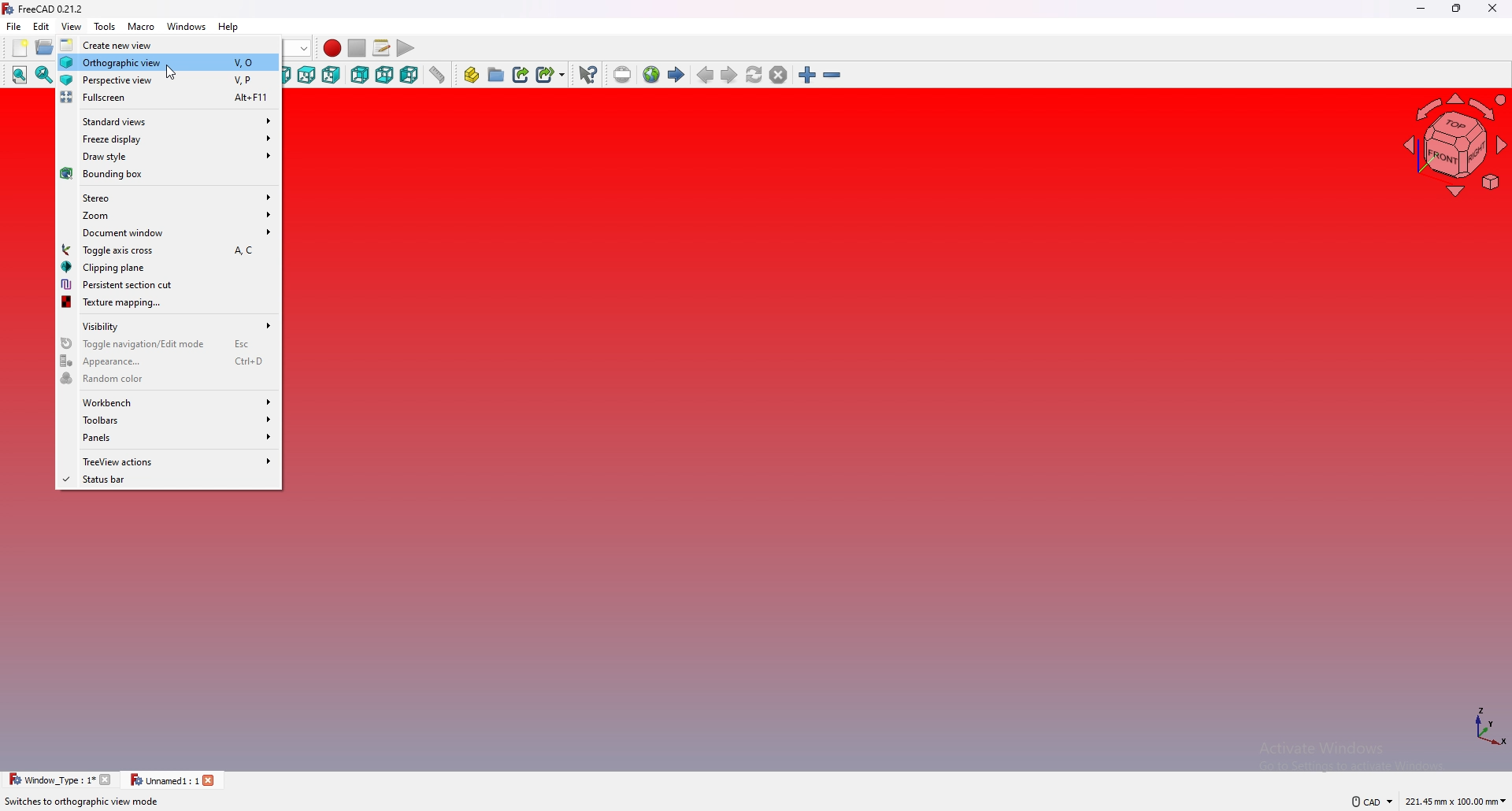  Describe the element at coordinates (307, 76) in the screenshot. I see `top` at that location.